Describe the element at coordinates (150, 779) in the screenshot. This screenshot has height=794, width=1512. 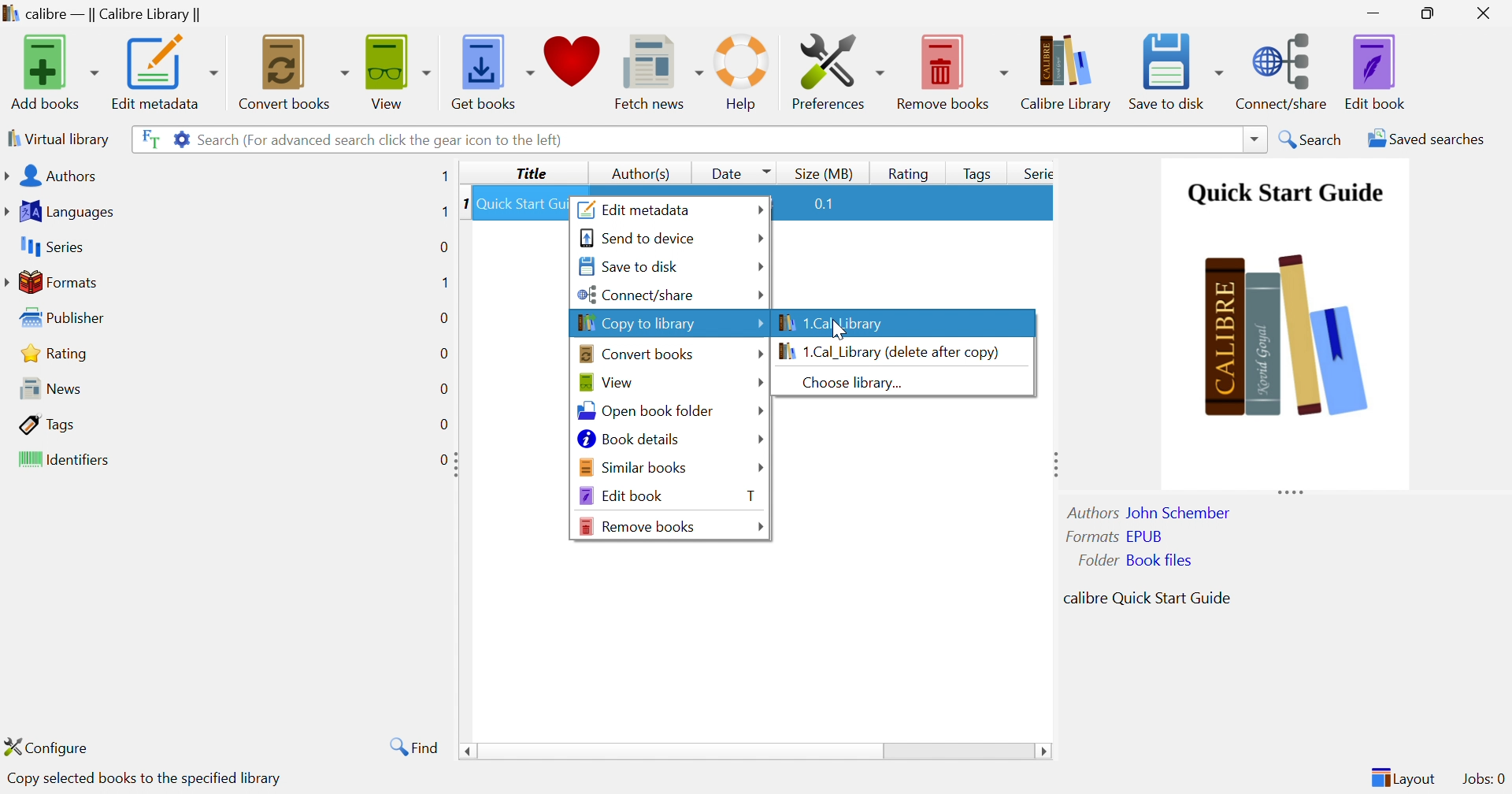
I see `Copy selected books to the specified library` at that location.